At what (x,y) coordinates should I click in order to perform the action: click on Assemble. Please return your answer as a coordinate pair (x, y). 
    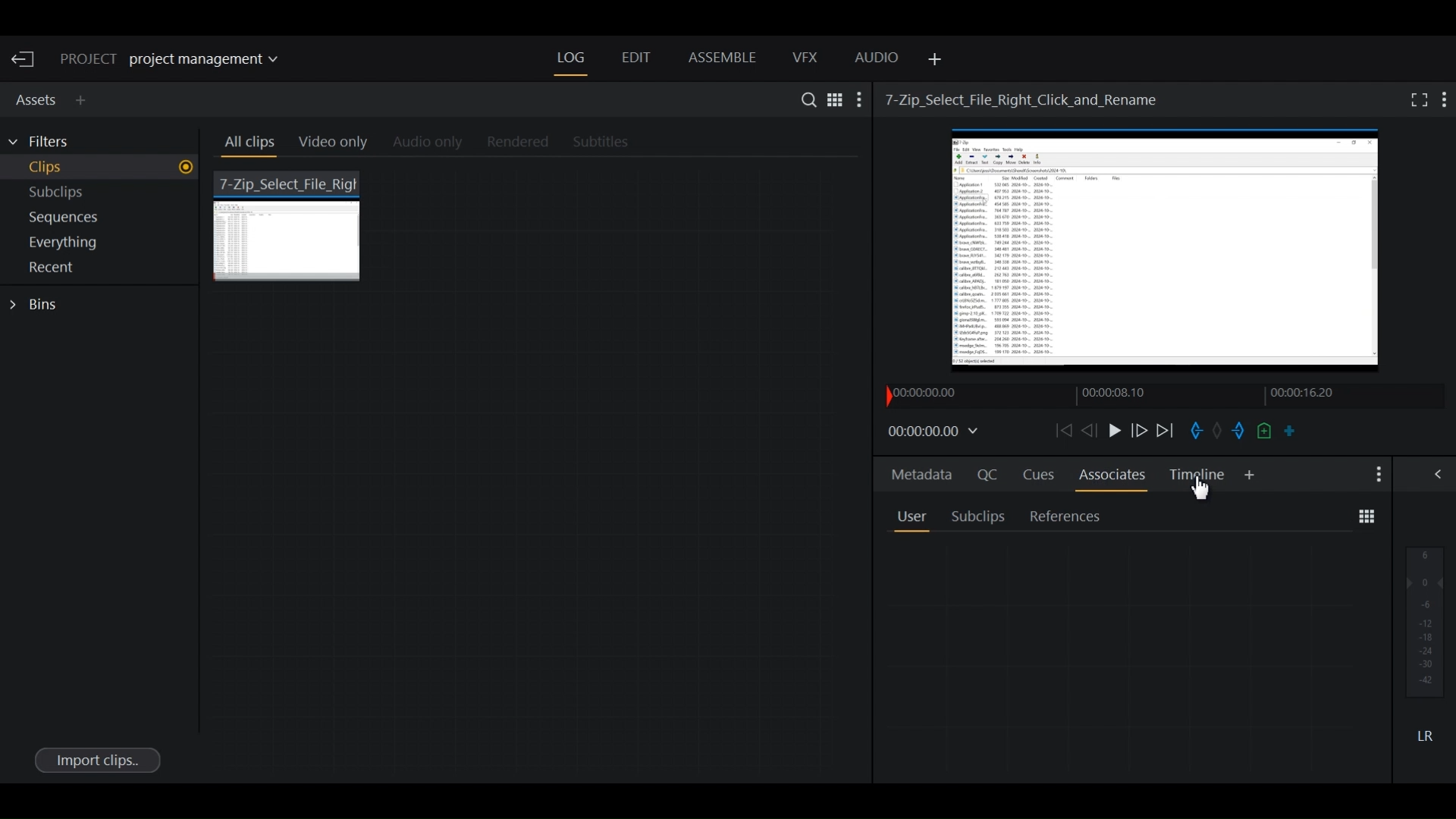
    Looking at the image, I should click on (722, 58).